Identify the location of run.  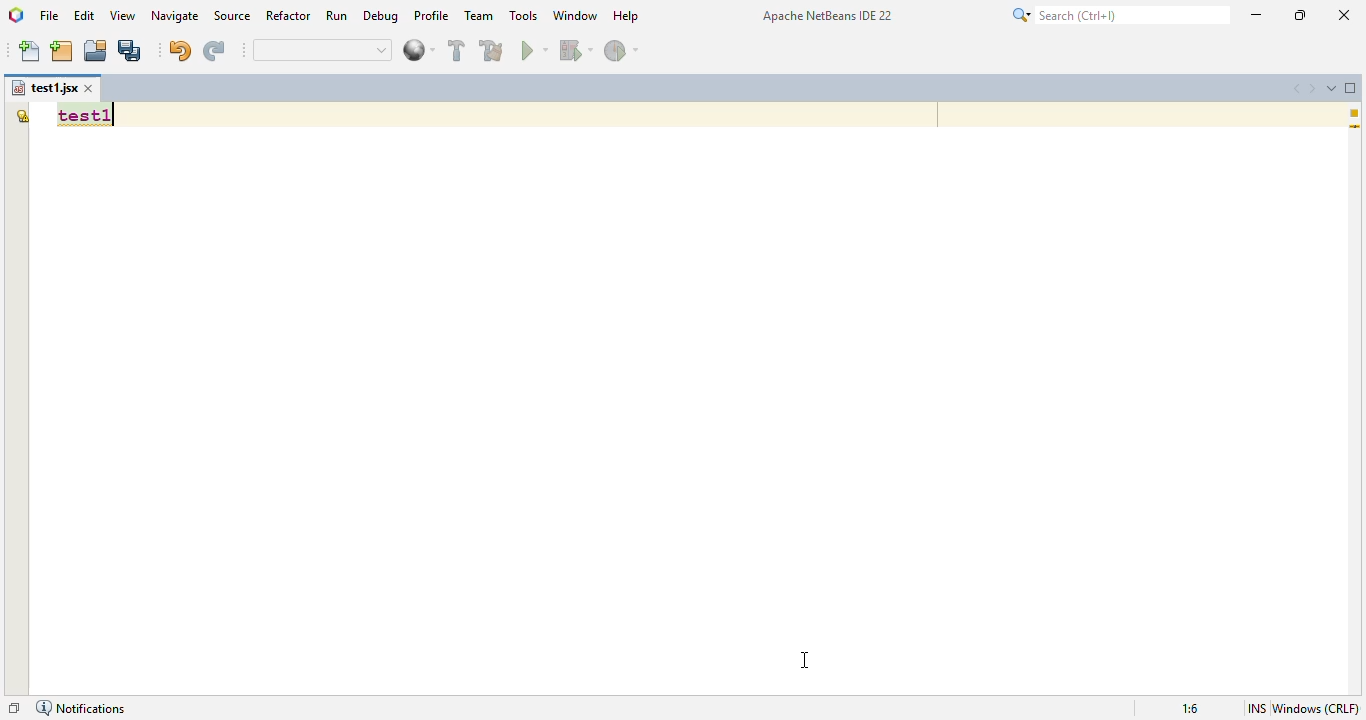
(337, 16).